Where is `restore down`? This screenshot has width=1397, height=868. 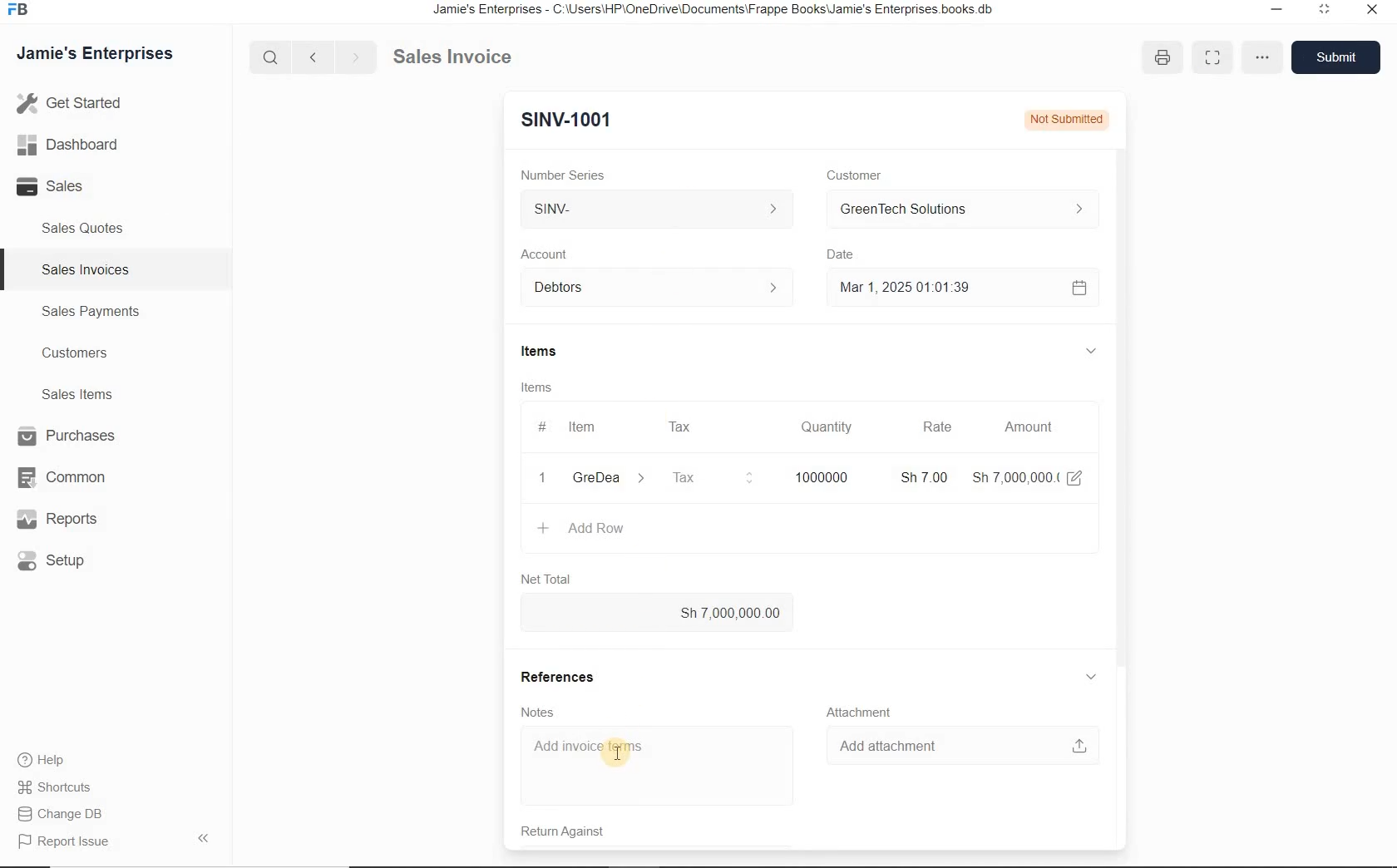 restore down is located at coordinates (1273, 11).